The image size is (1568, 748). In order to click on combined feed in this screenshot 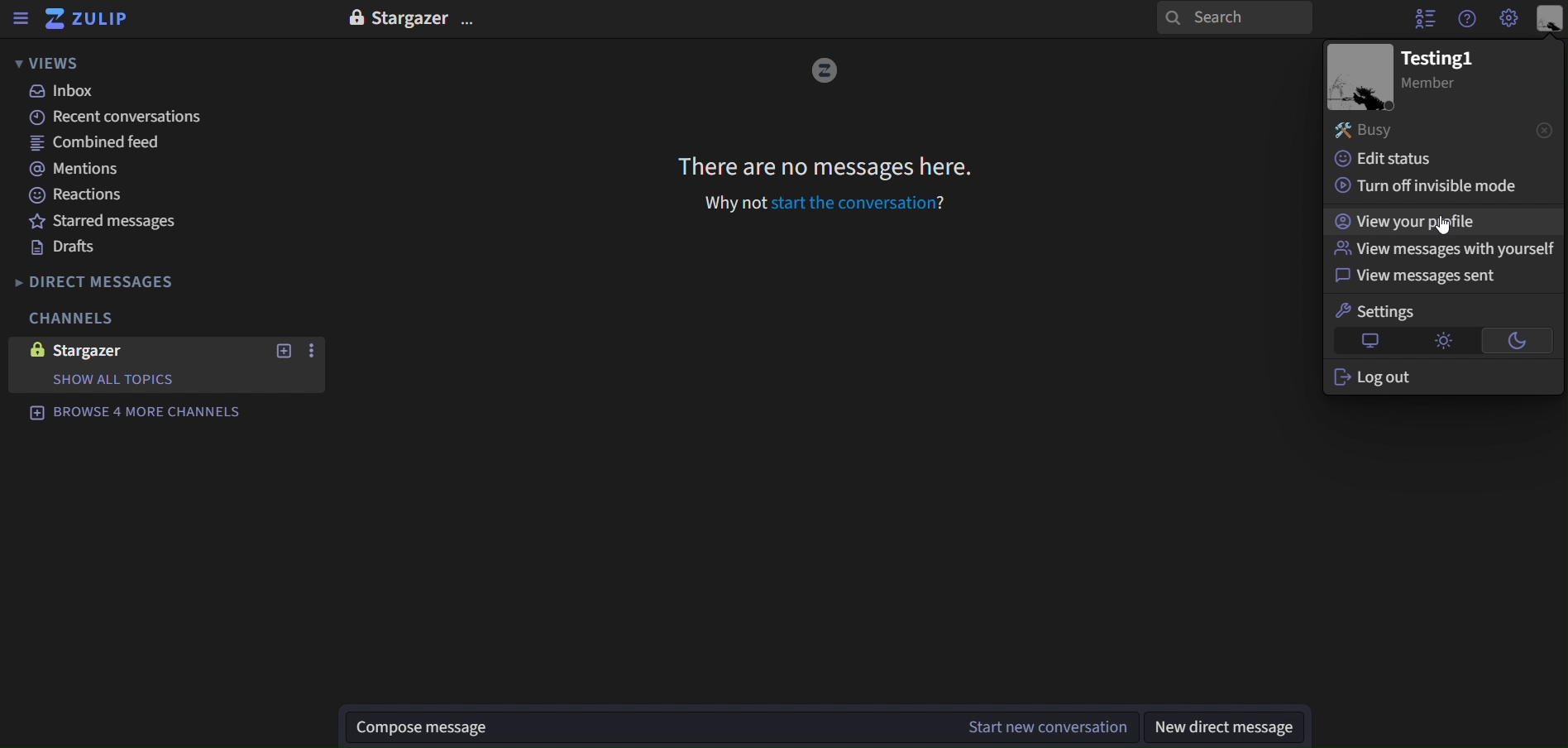, I will do `click(109, 145)`.